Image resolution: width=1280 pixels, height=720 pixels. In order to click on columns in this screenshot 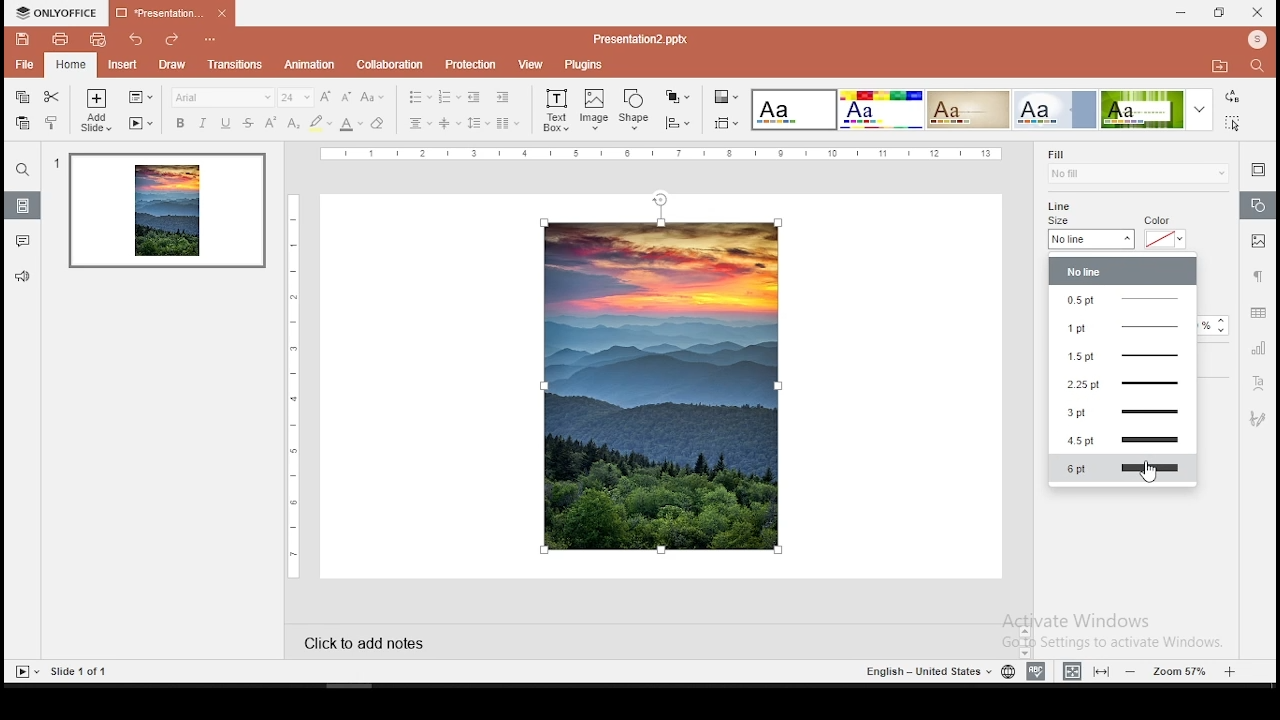, I will do `click(508, 123)`.